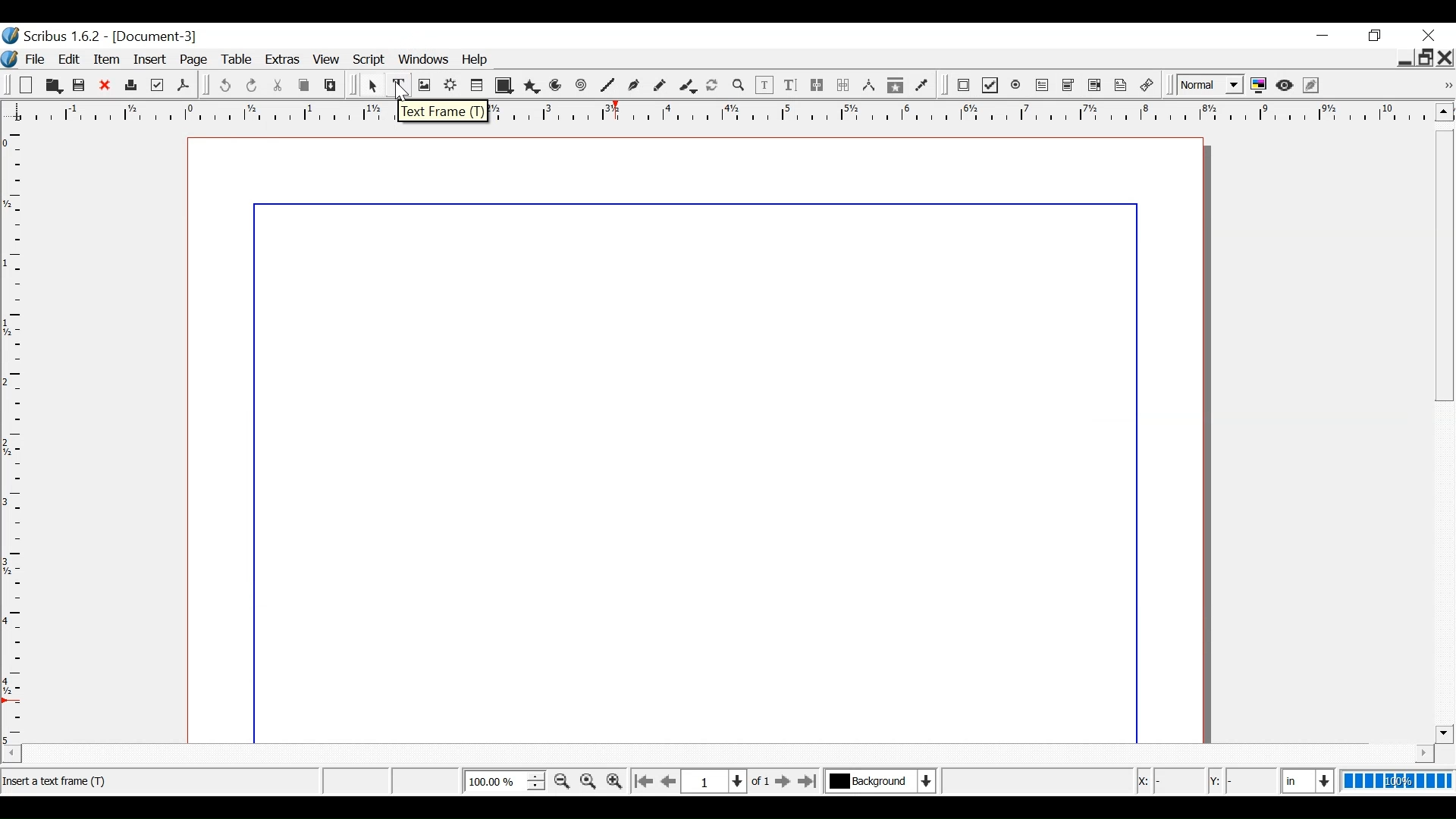  What do you see at coordinates (645, 780) in the screenshot?
I see `Go to the first page` at bounding box center [645, 780].